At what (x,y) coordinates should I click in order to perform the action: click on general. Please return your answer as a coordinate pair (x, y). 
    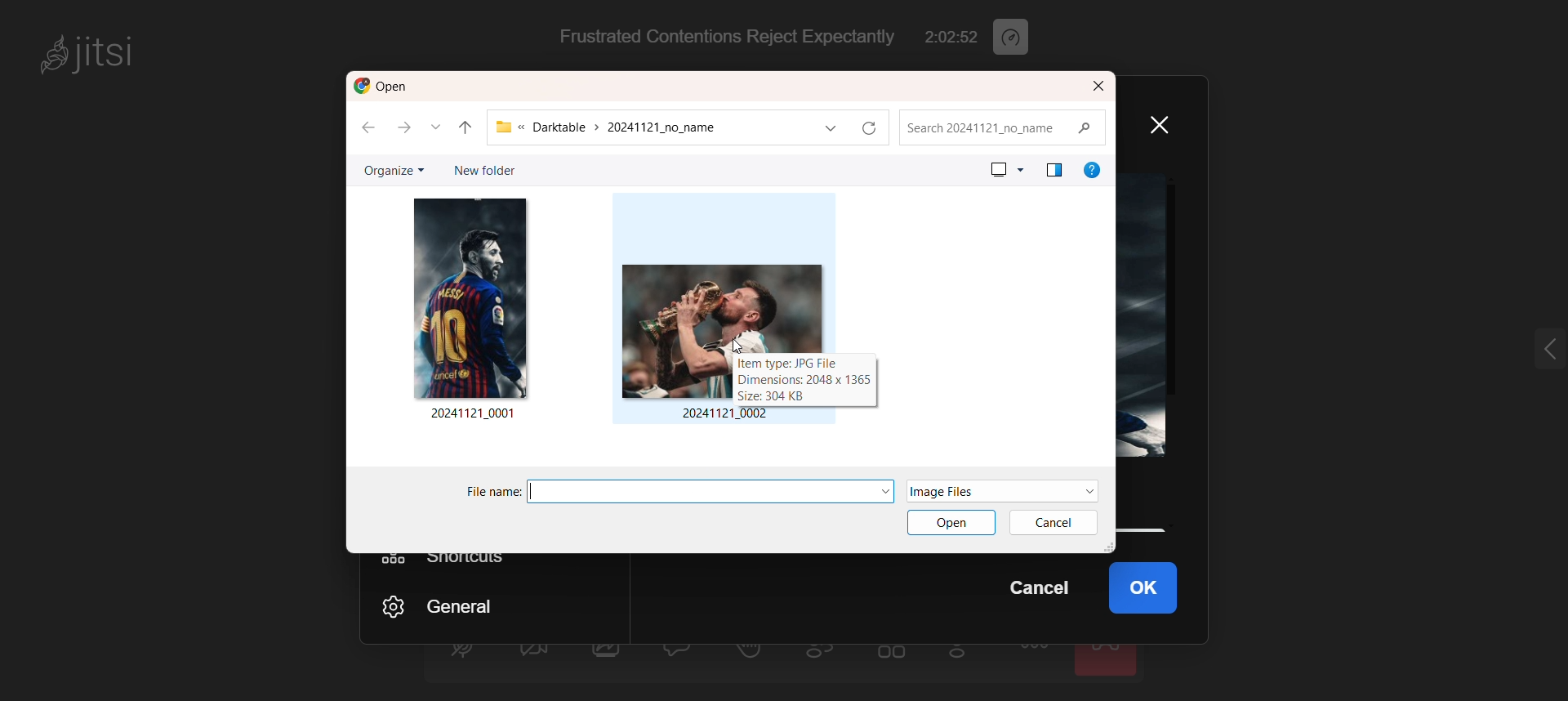
    Looking at the image, I should click on (458, 604).